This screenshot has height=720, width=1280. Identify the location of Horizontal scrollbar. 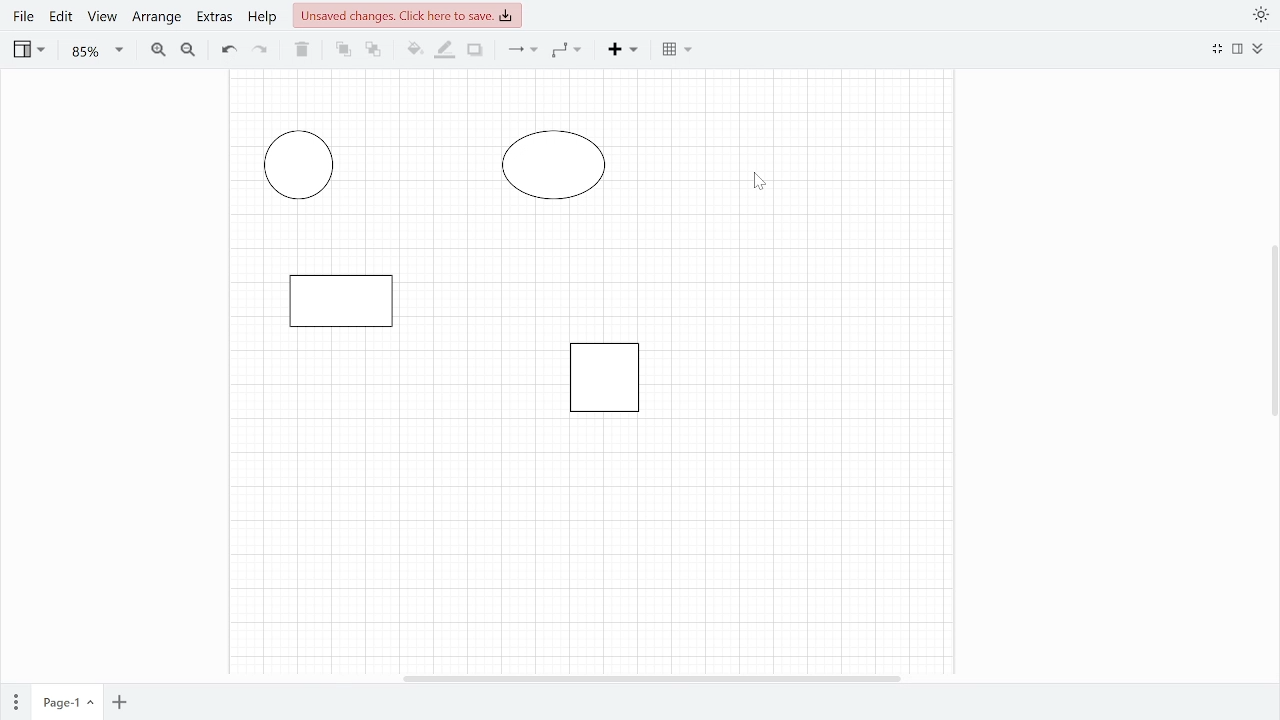
(652, 677).